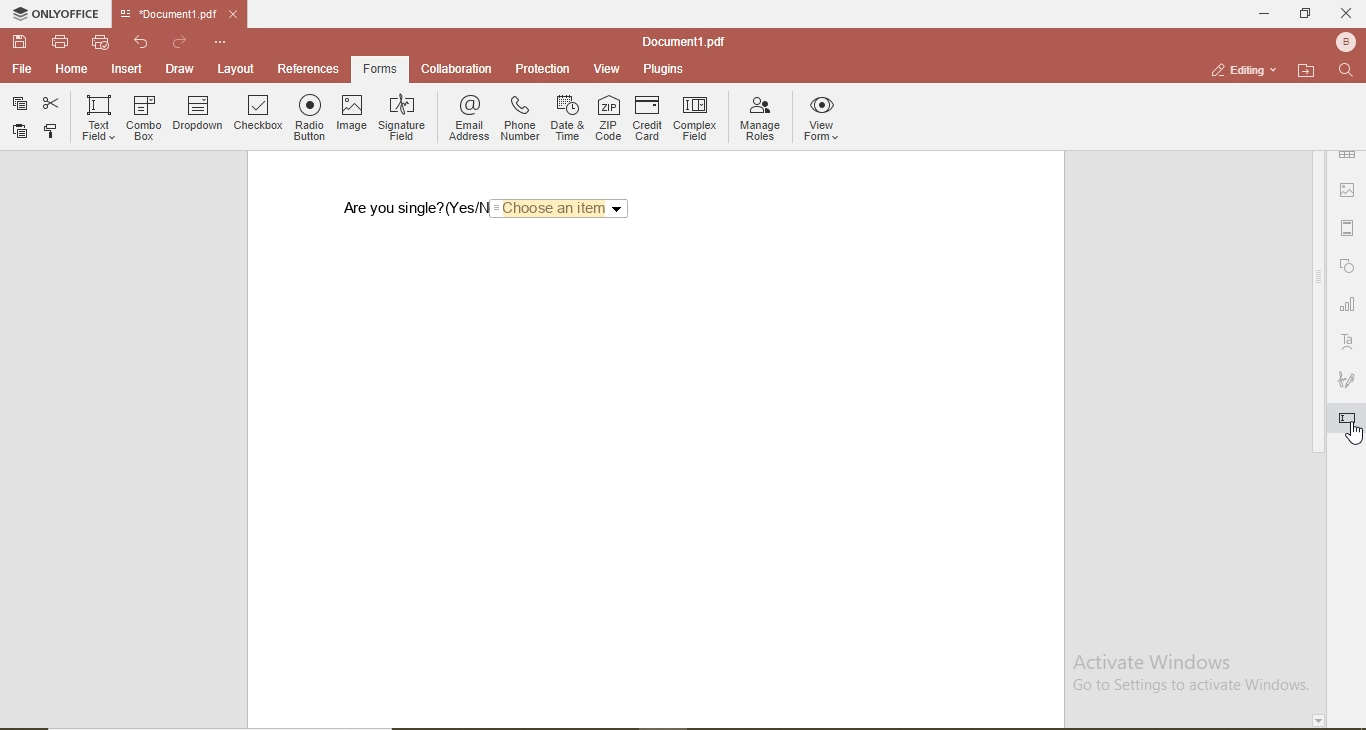 This screenshot has width=1366, height=730. I want to click on collaboration, so click(456, 69).